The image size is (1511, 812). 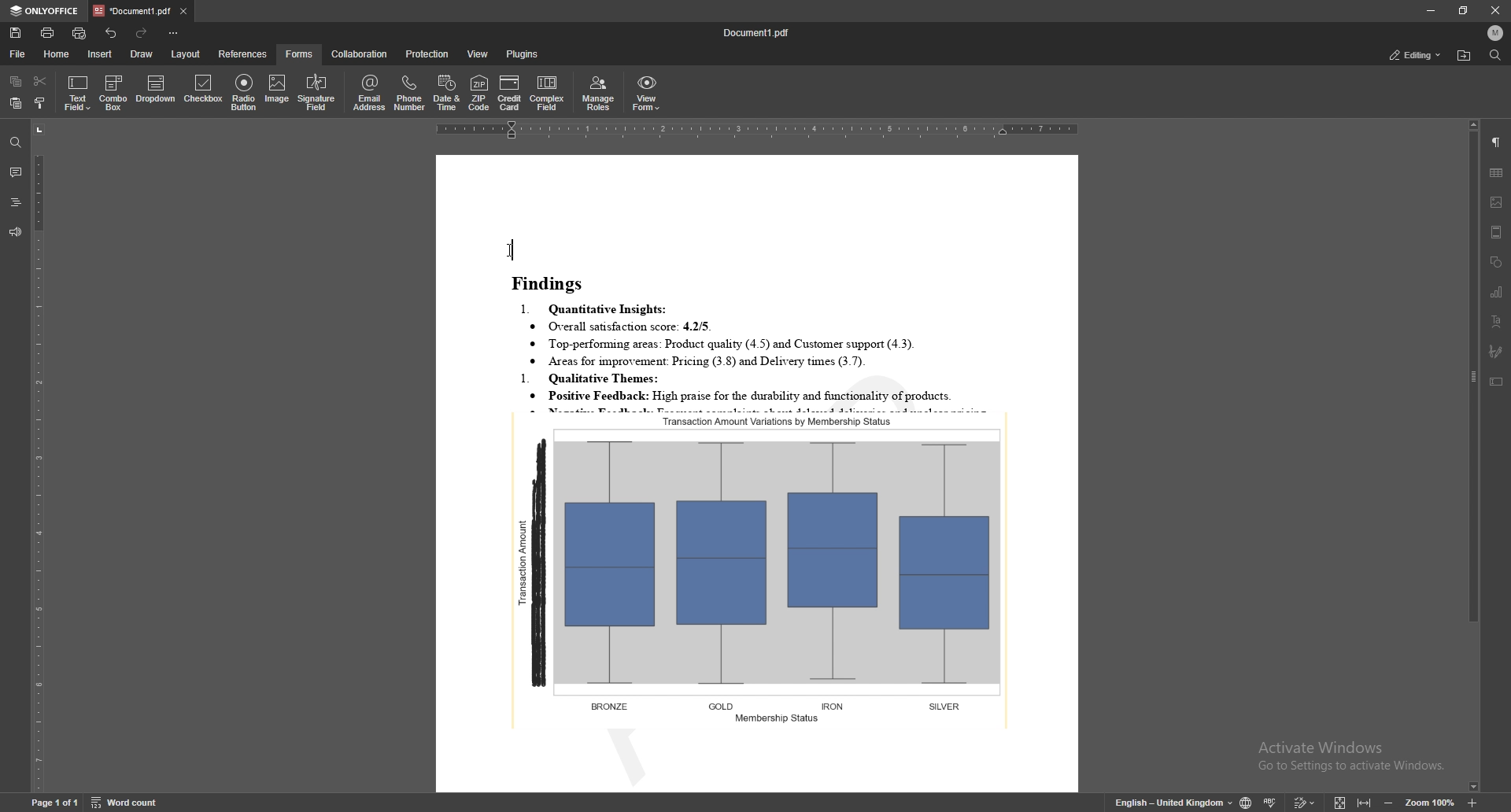 What do you see at coordinates (202, 91) in the screenshot?
I see `checkbox` at bounding box center [202, 91].